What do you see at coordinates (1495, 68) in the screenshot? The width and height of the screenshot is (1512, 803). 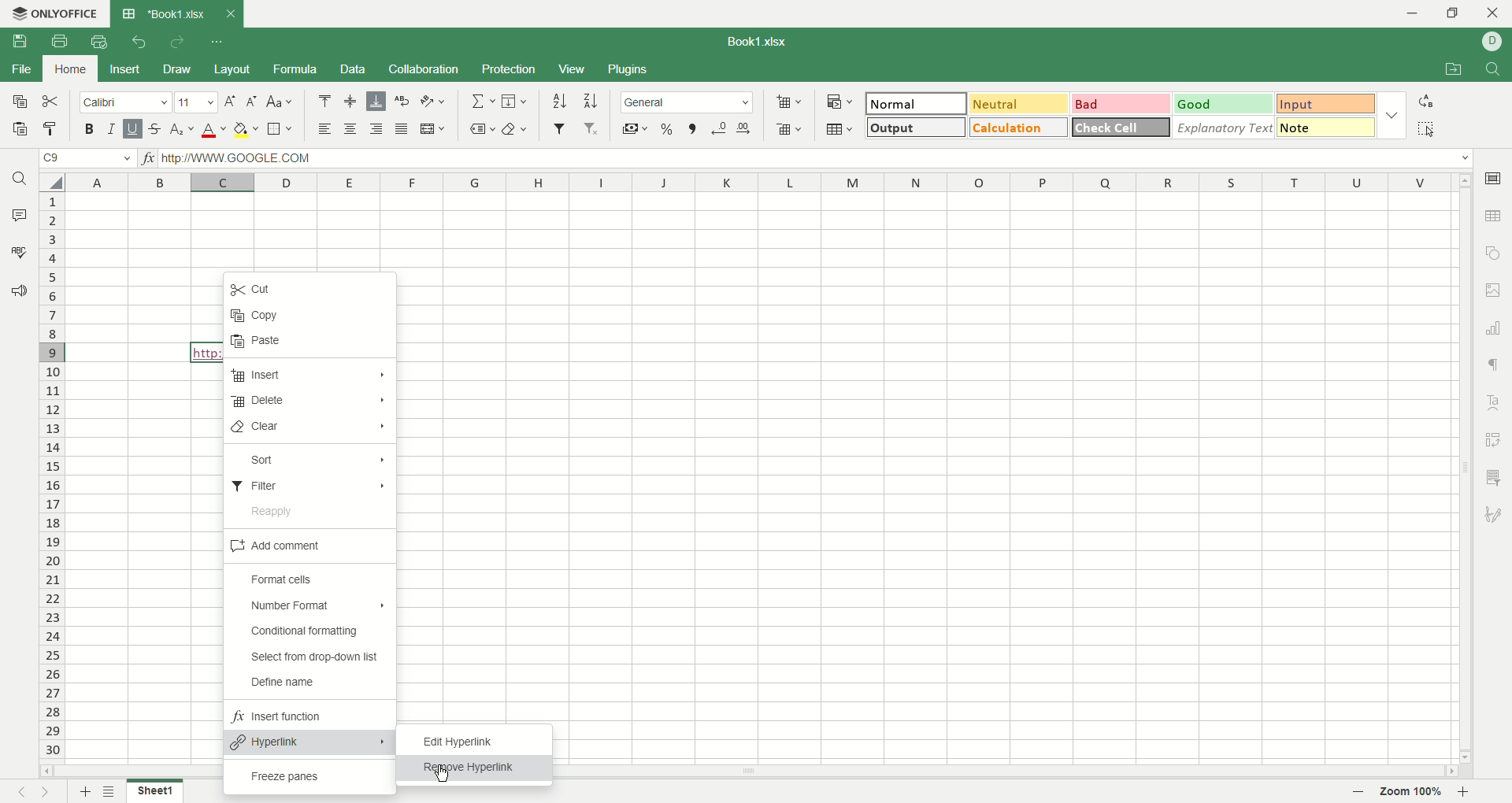 I see `find` at bounding box center [1495, 68].